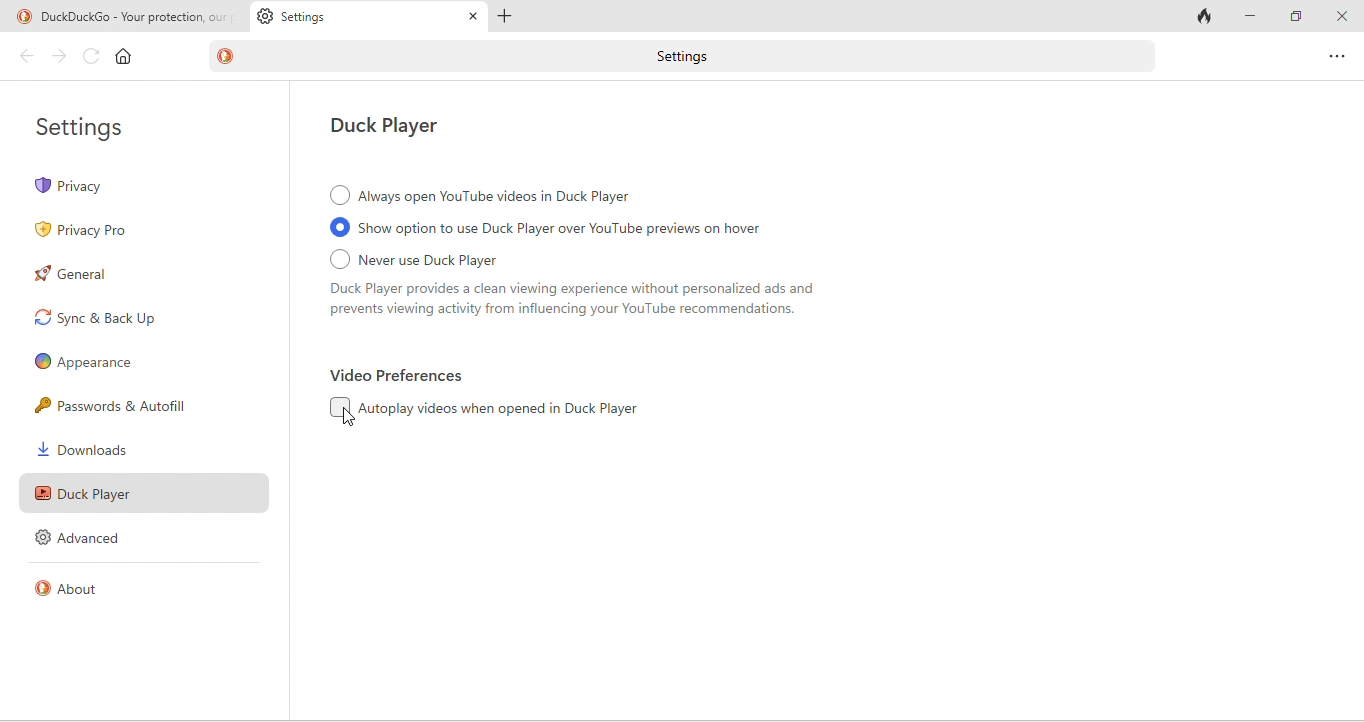 The width and height of the screenshot is (1364, 722). Describe the element at coordinates (394, 127) in the screenshot. I see `duck player` at that location.